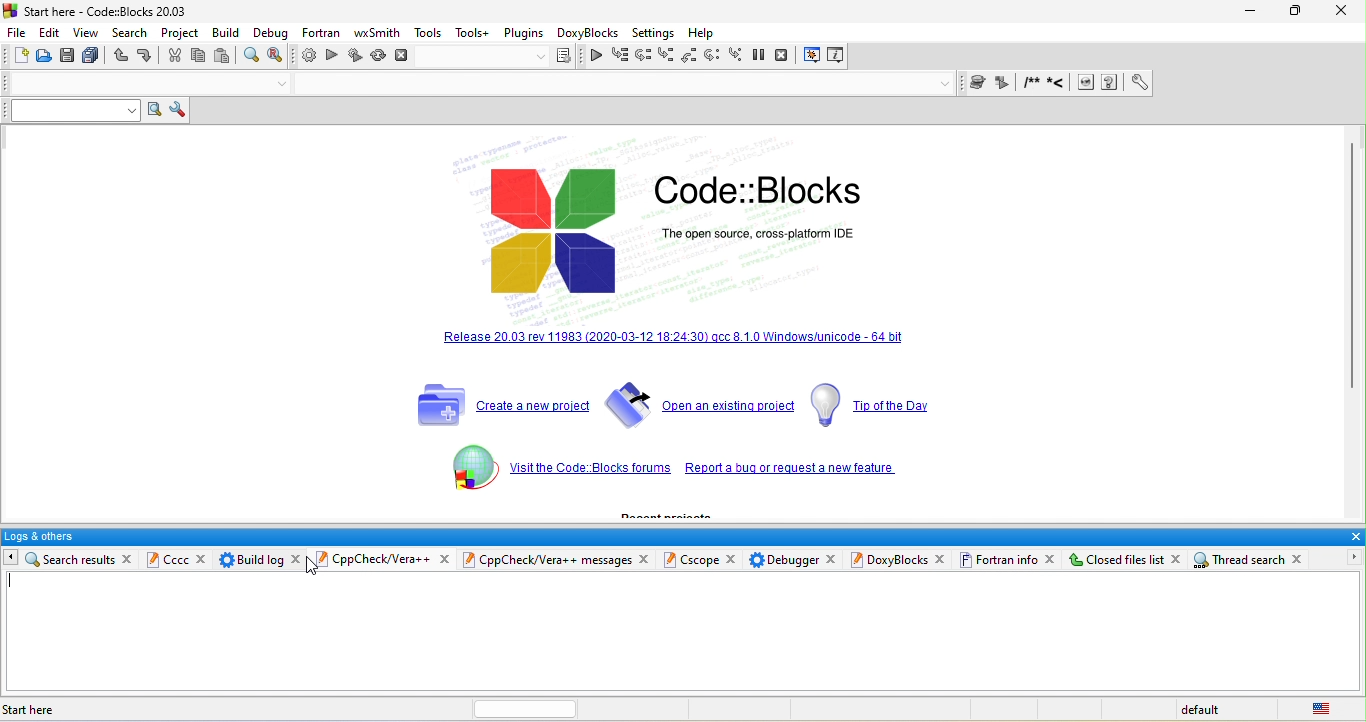 The width and height of the screenshot is (1366, 722). I want to click on doxy blocks, so click(887, 560).